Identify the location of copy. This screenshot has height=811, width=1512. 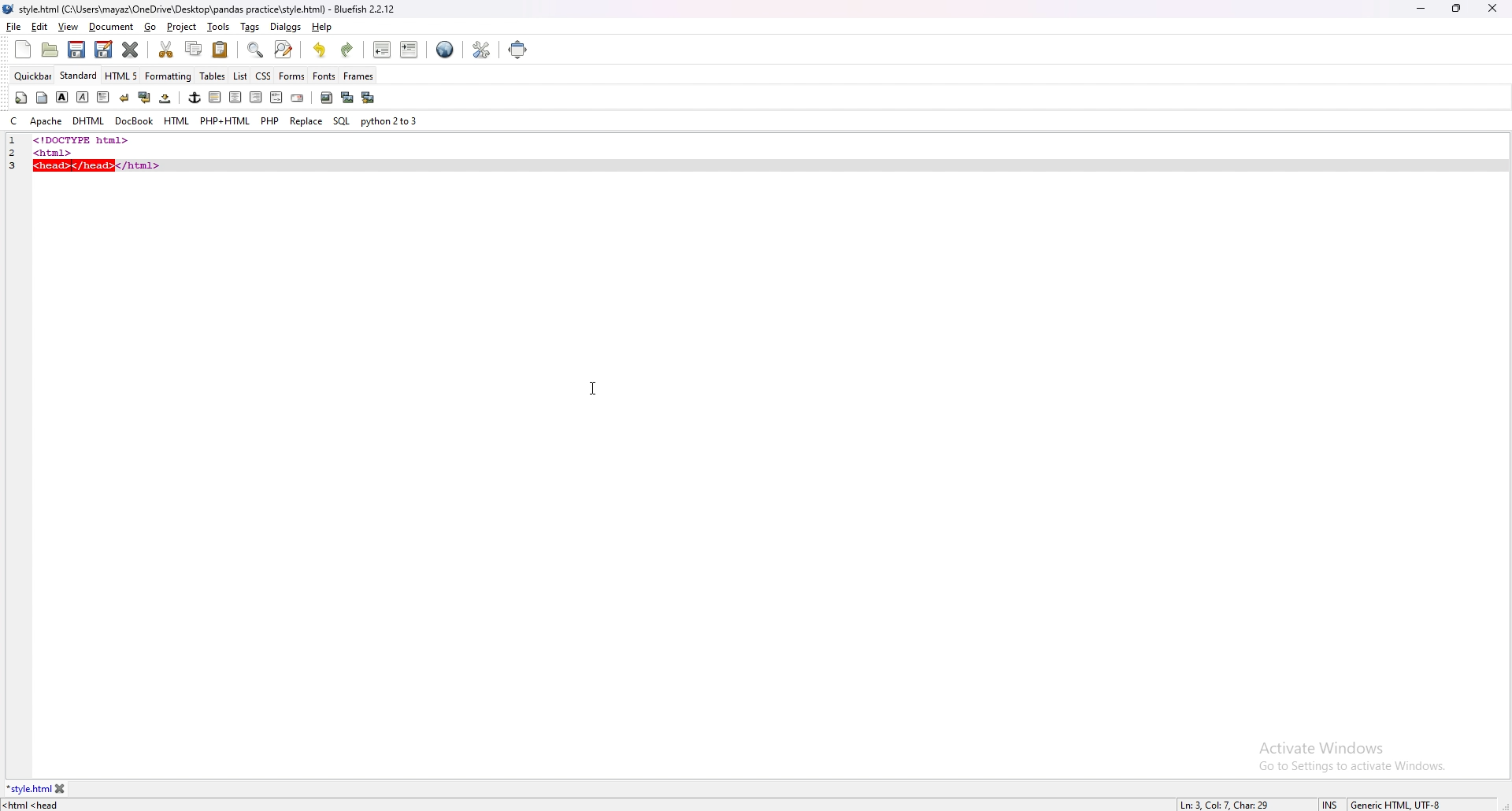
(195, 49).